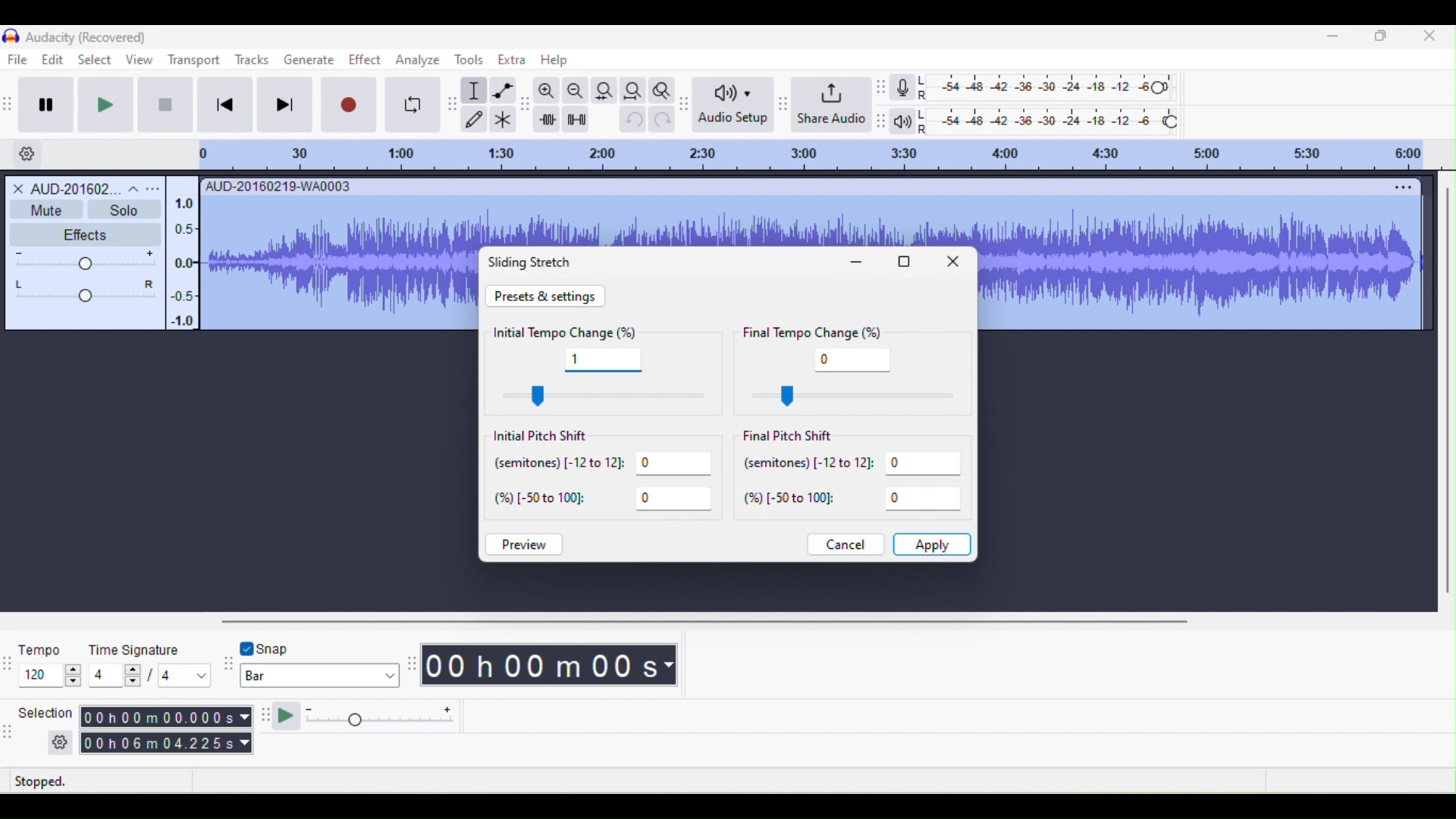 The height and width of the screenshot is (819, 1456). I want to click on preset and settings, so click(548, 296).